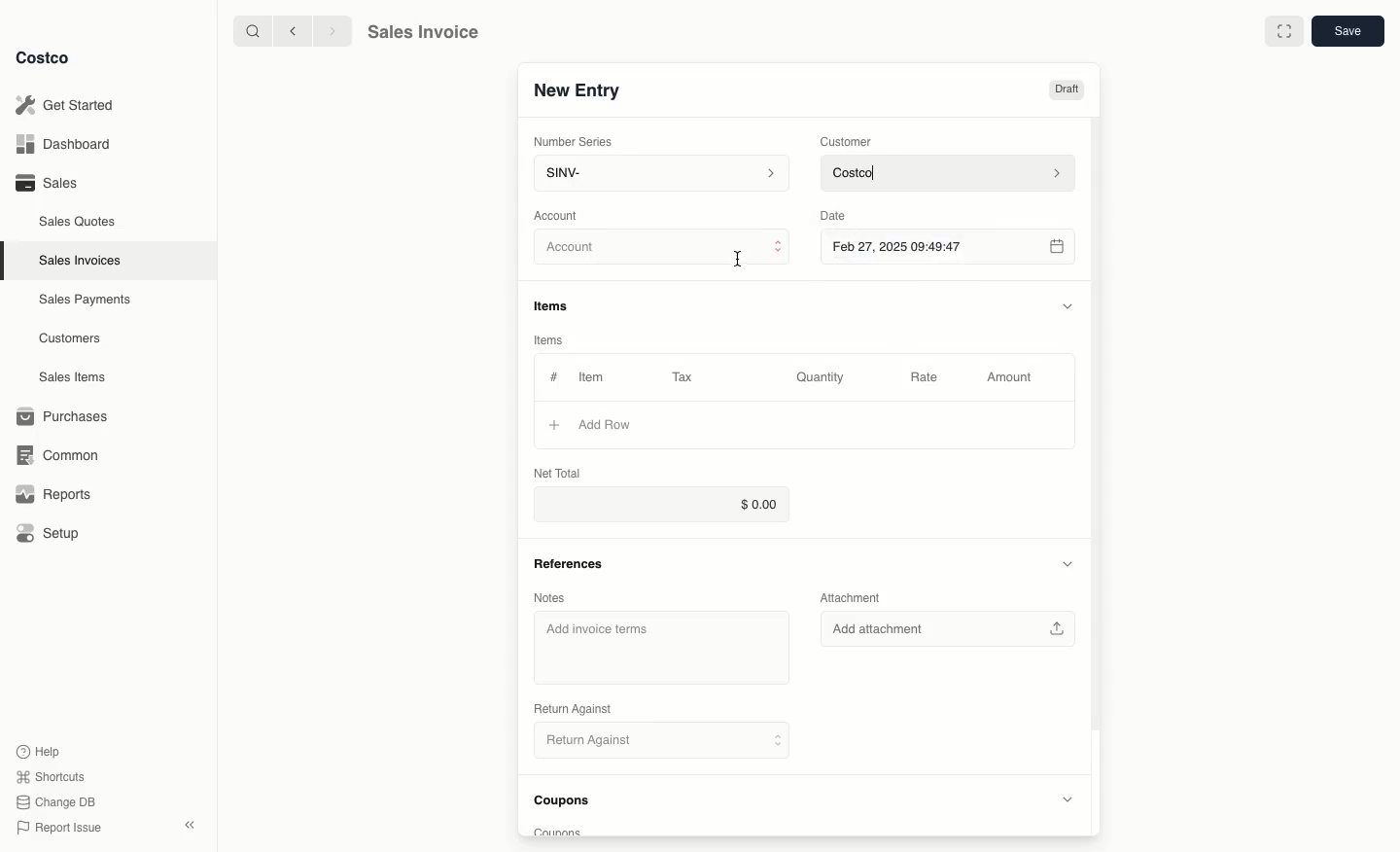  Describe the element at coordinates (330, 30) in the screenshot. I see `forward` at that location.